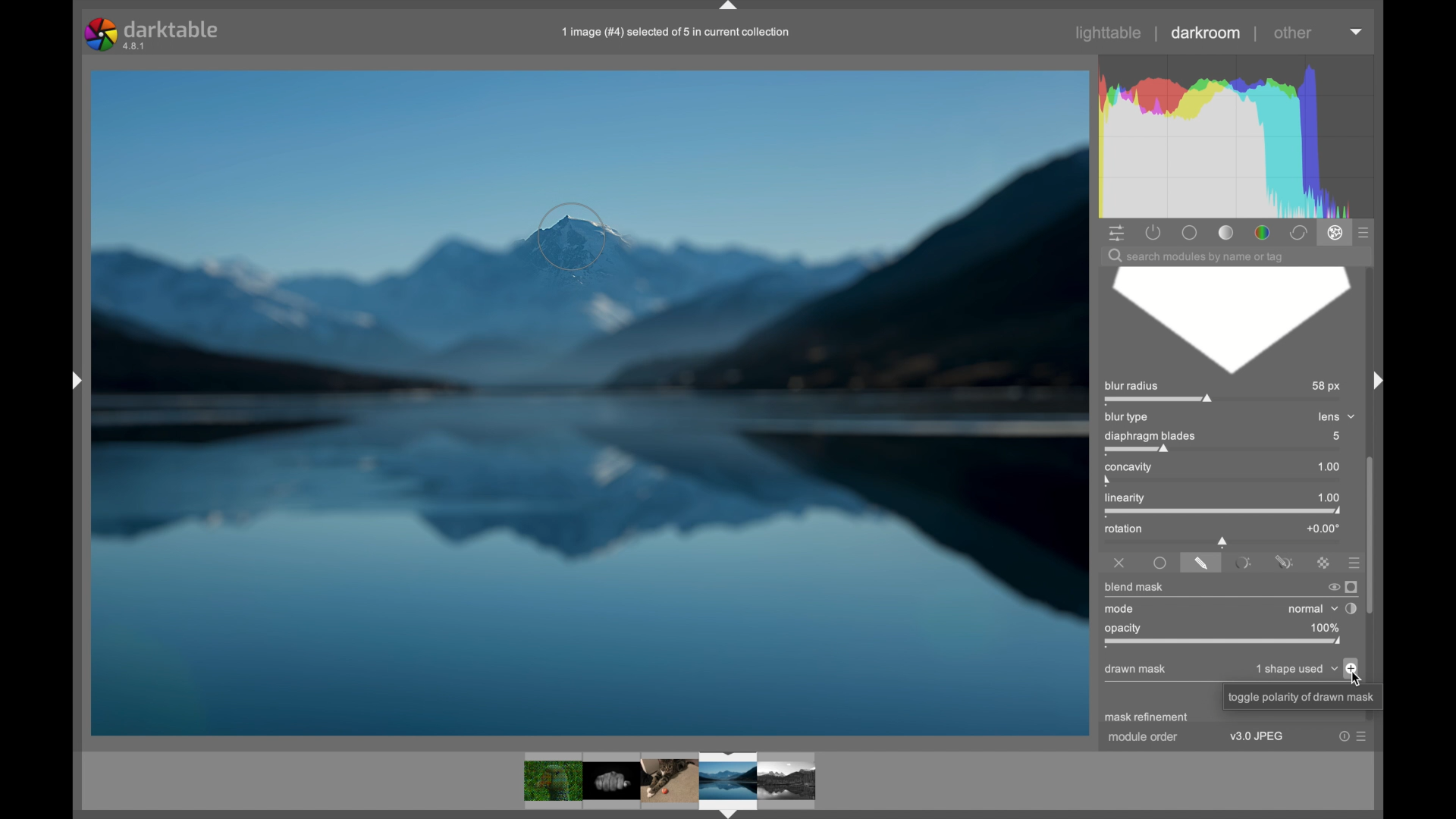  What do you see at coordinates (1241, 562) in the screenshot?
I see `parametricamsk` at bounding box center [1241, 562].